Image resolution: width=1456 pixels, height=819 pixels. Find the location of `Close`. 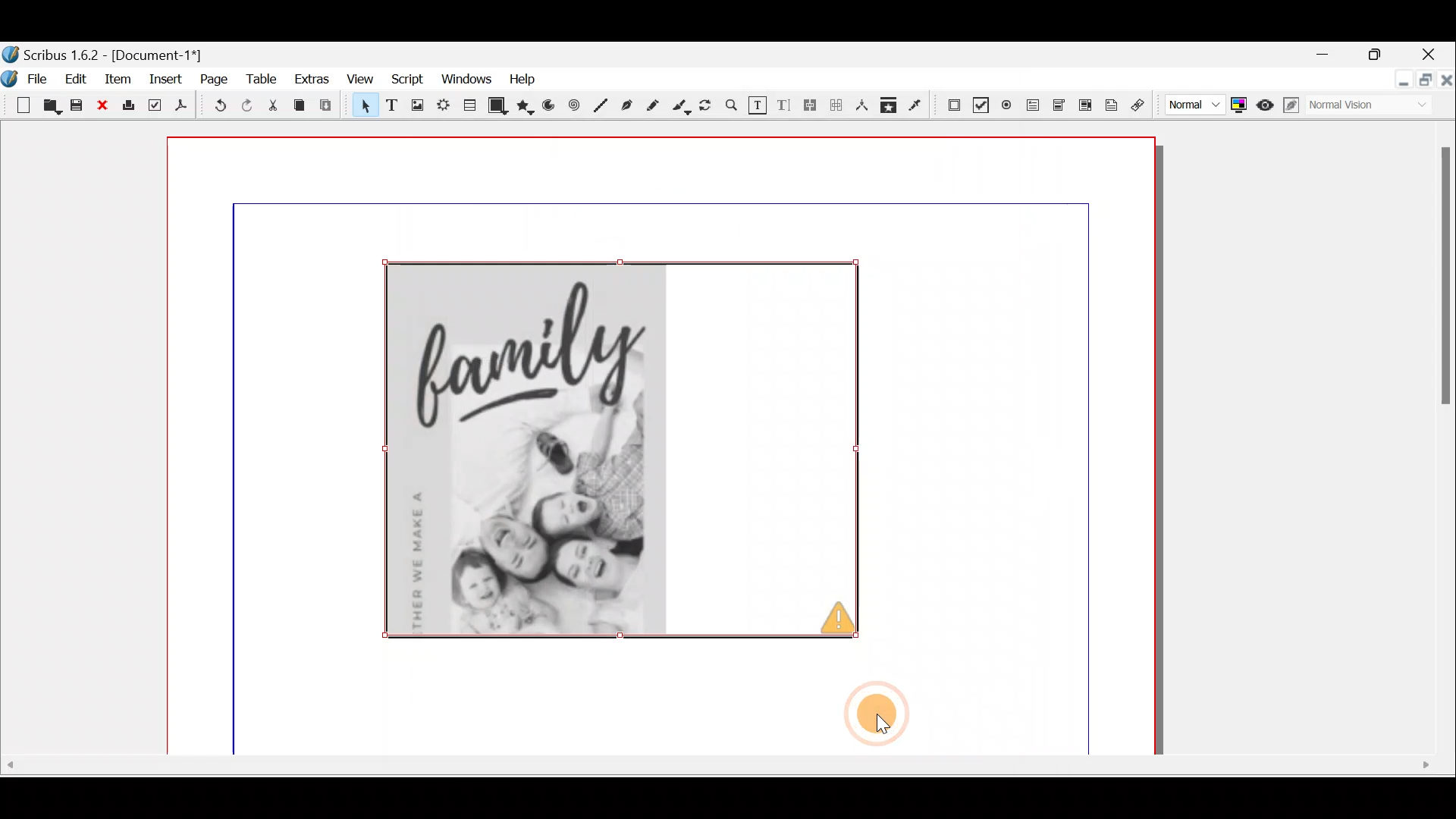

Close is located at coordinates (102, 108).